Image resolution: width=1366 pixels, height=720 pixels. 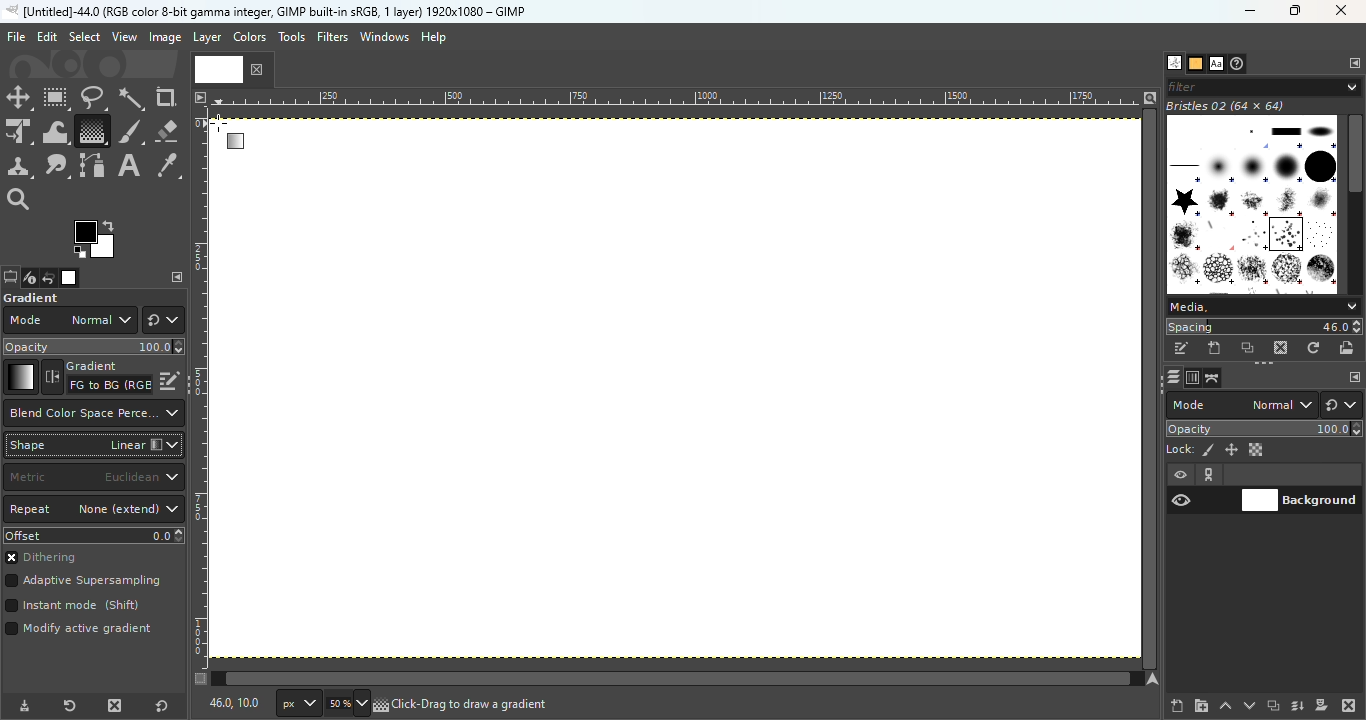 I want to click on open the fonts tab, so click(x=1216, y=64).